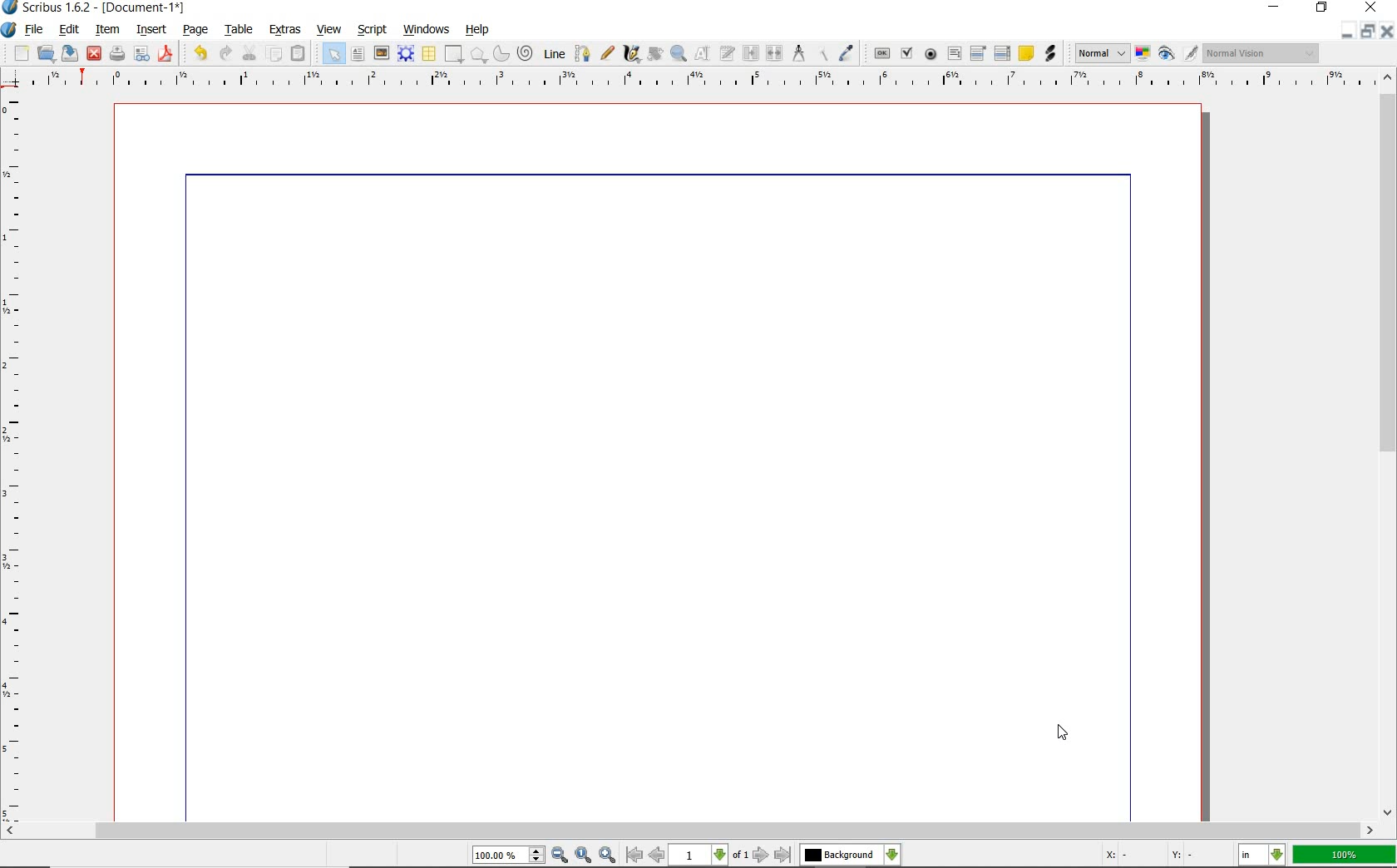 The width and height of the screenshot is (1397, 868). I want to click on scrollbar, so click(1389, 446).